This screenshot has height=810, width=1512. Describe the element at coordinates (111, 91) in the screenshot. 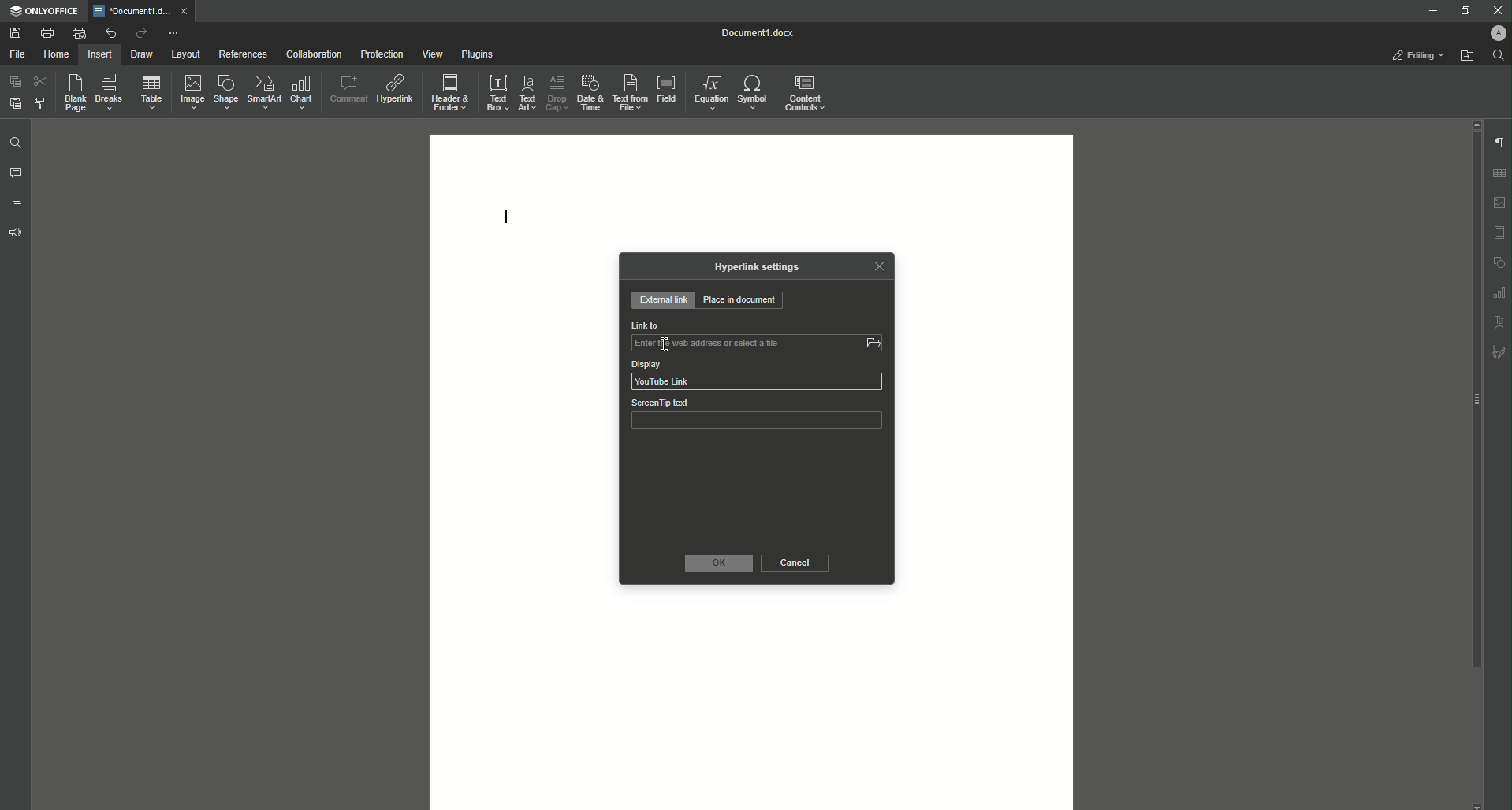

I see `Breaks` at that location.